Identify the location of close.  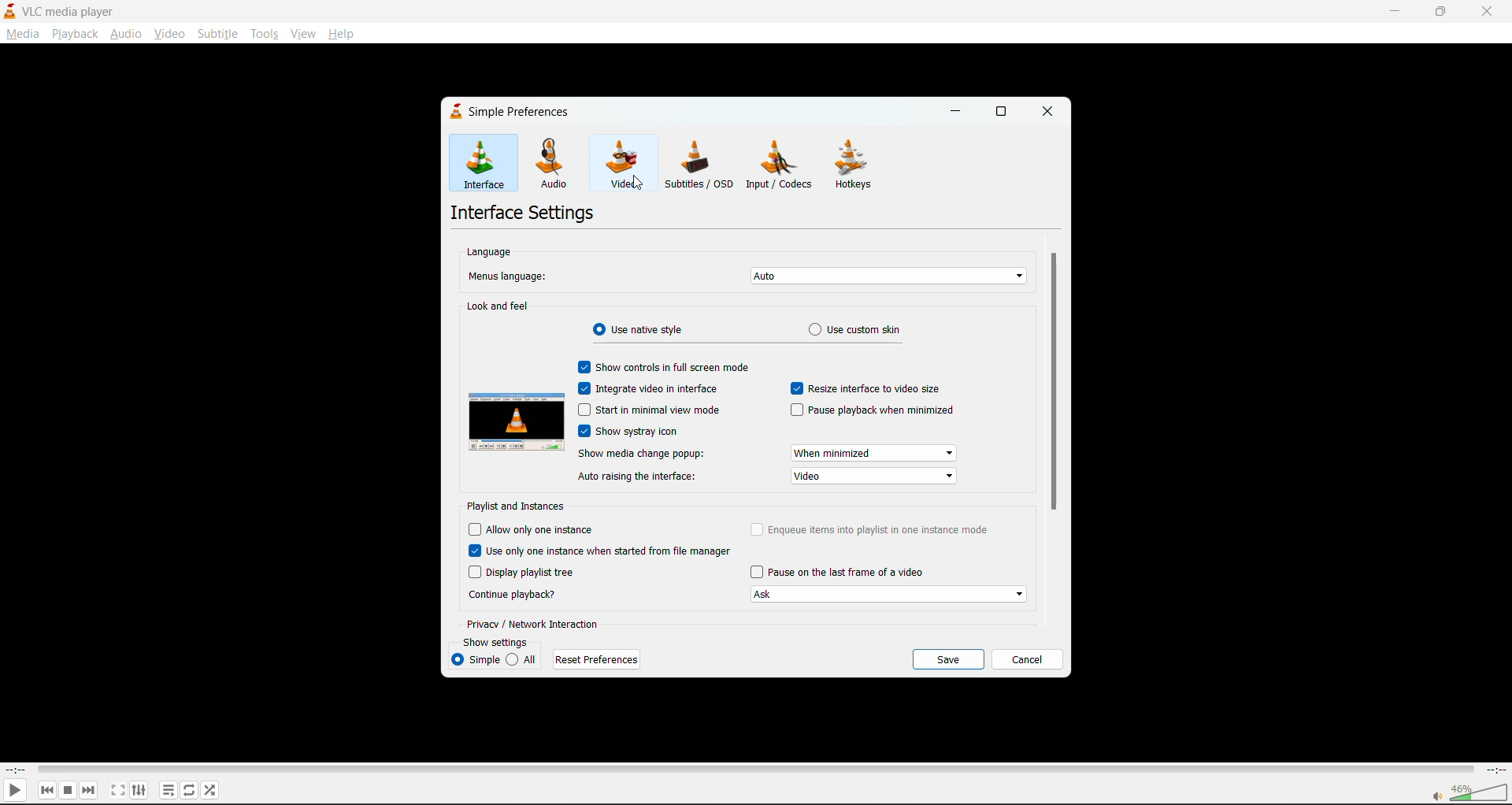
(1049, 113).